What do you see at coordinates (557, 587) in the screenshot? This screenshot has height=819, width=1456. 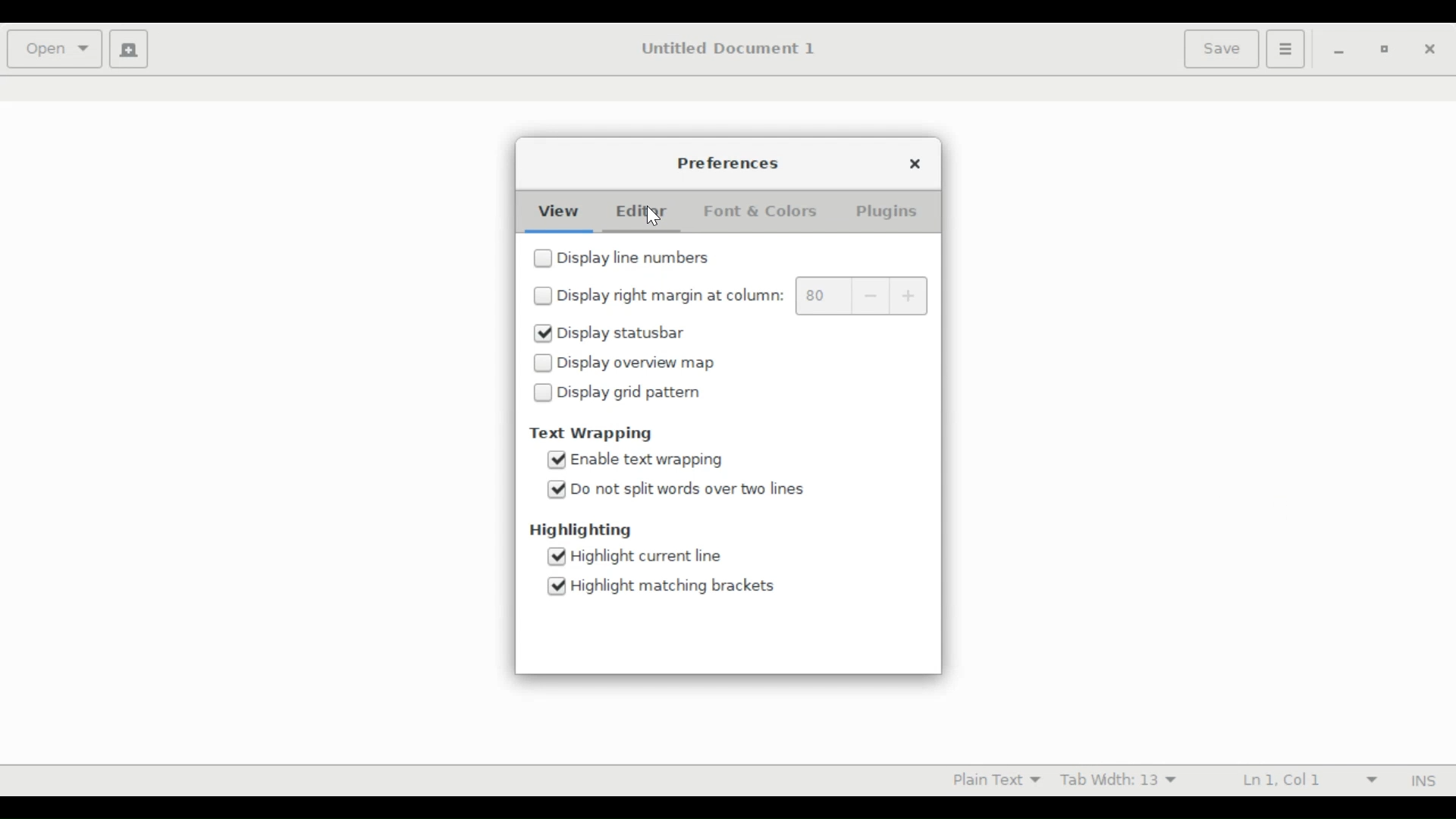 I see `Selected` at bounding box center [557, 587].